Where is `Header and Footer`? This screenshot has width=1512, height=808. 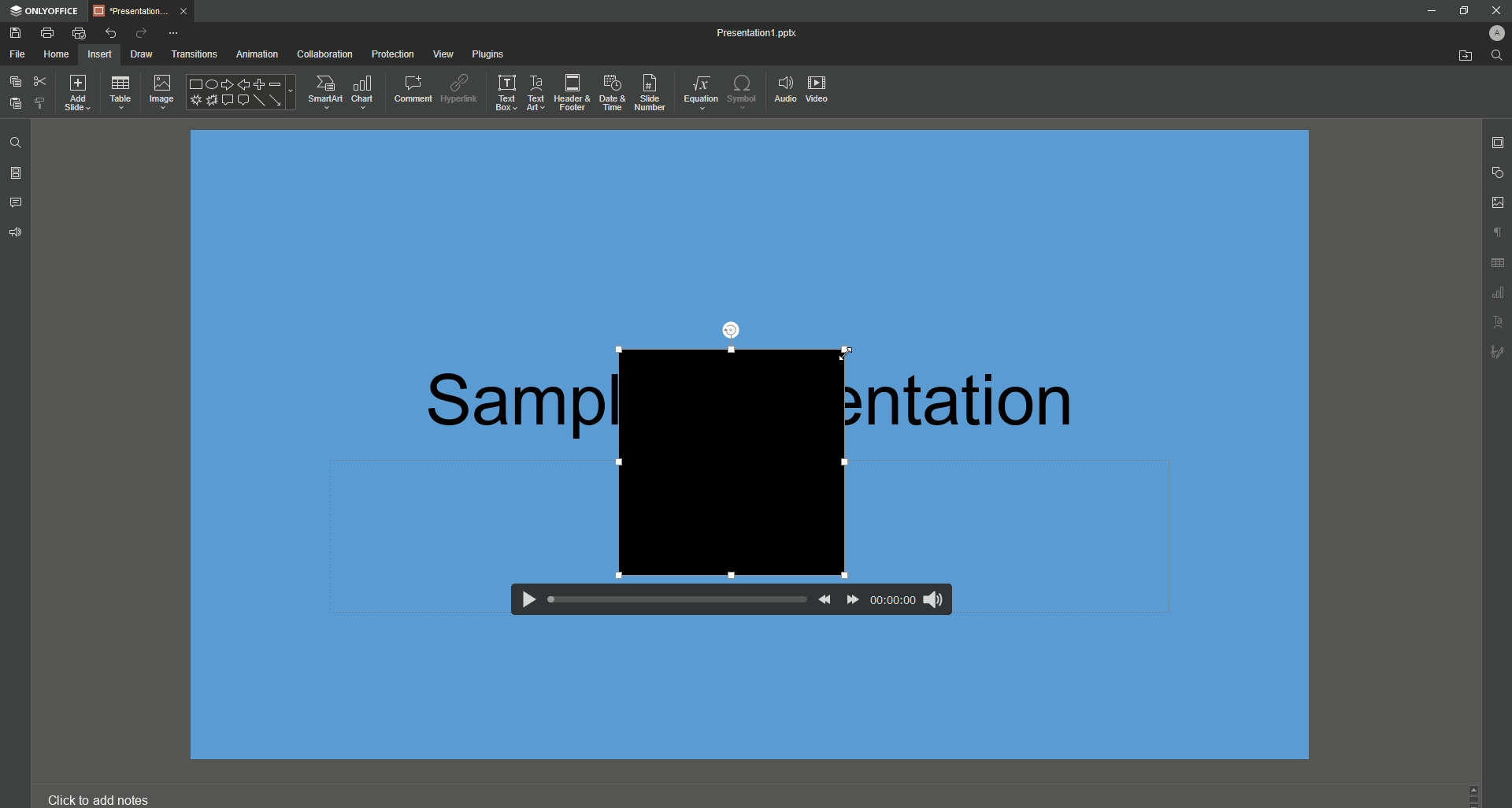
Header and Footer is located at coordinates (572, 92).